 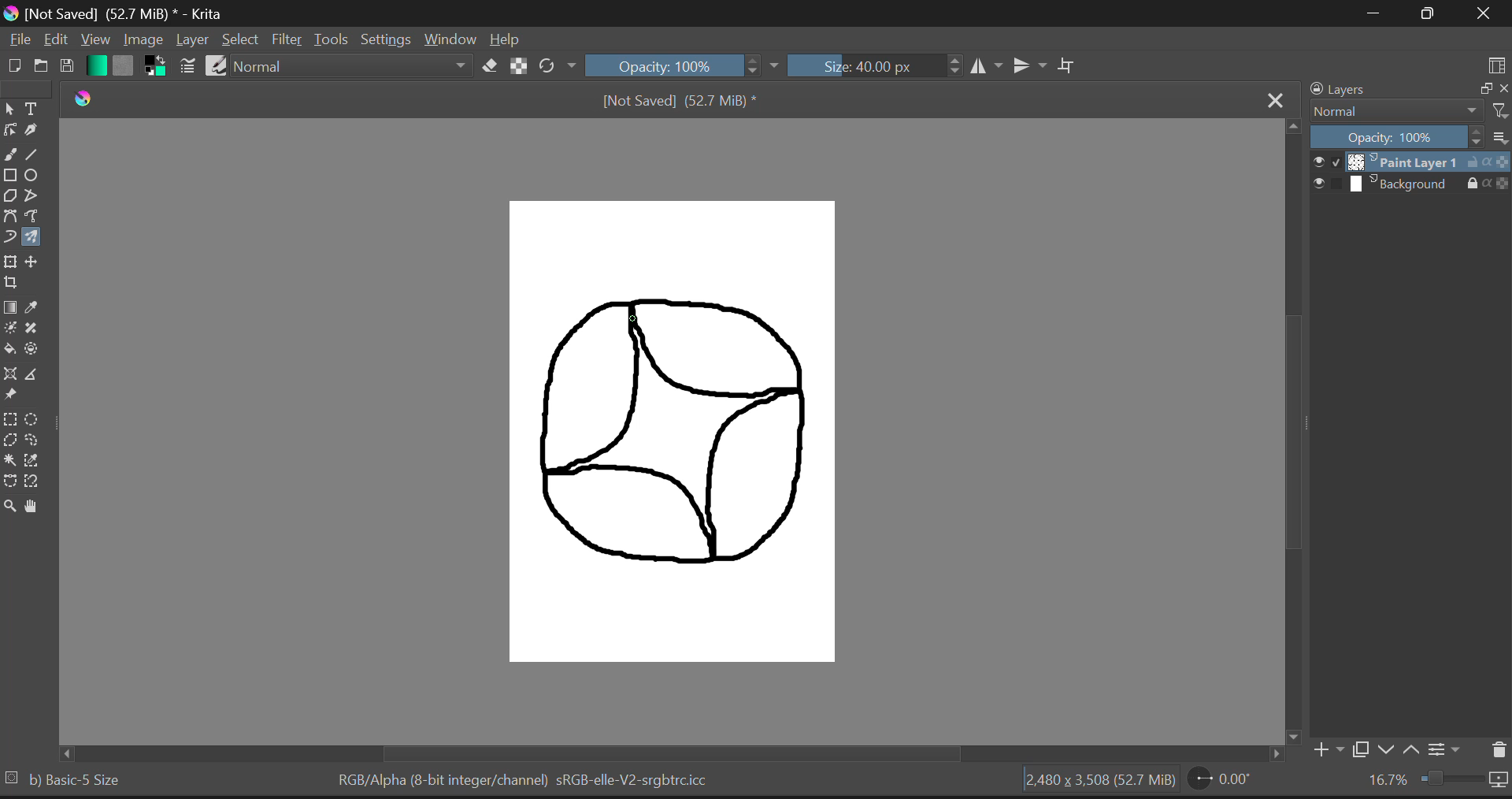 I want to click on Circular Selection, so click(x=38, y=418).